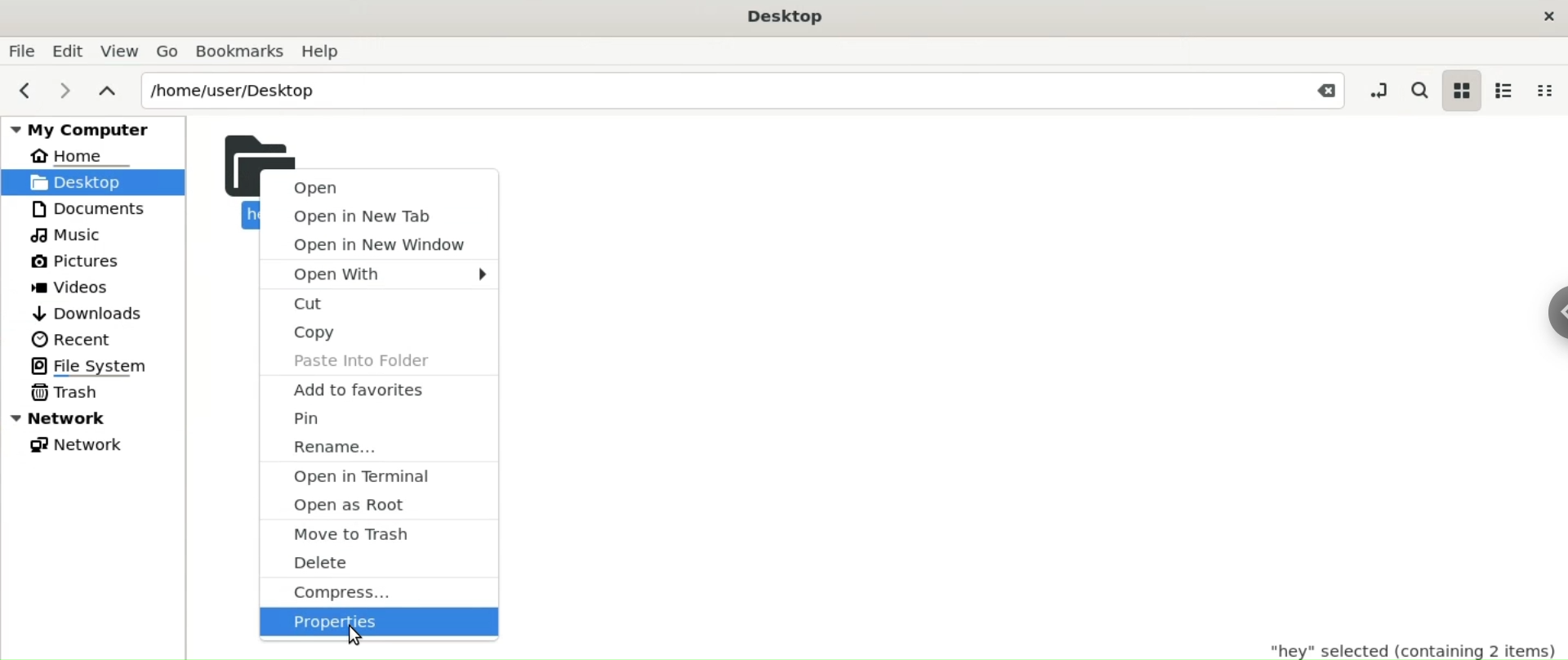  What do you see at coordinates (65, 393) in the screenshot?
I see `Trash` at bounding box center [65, 393].